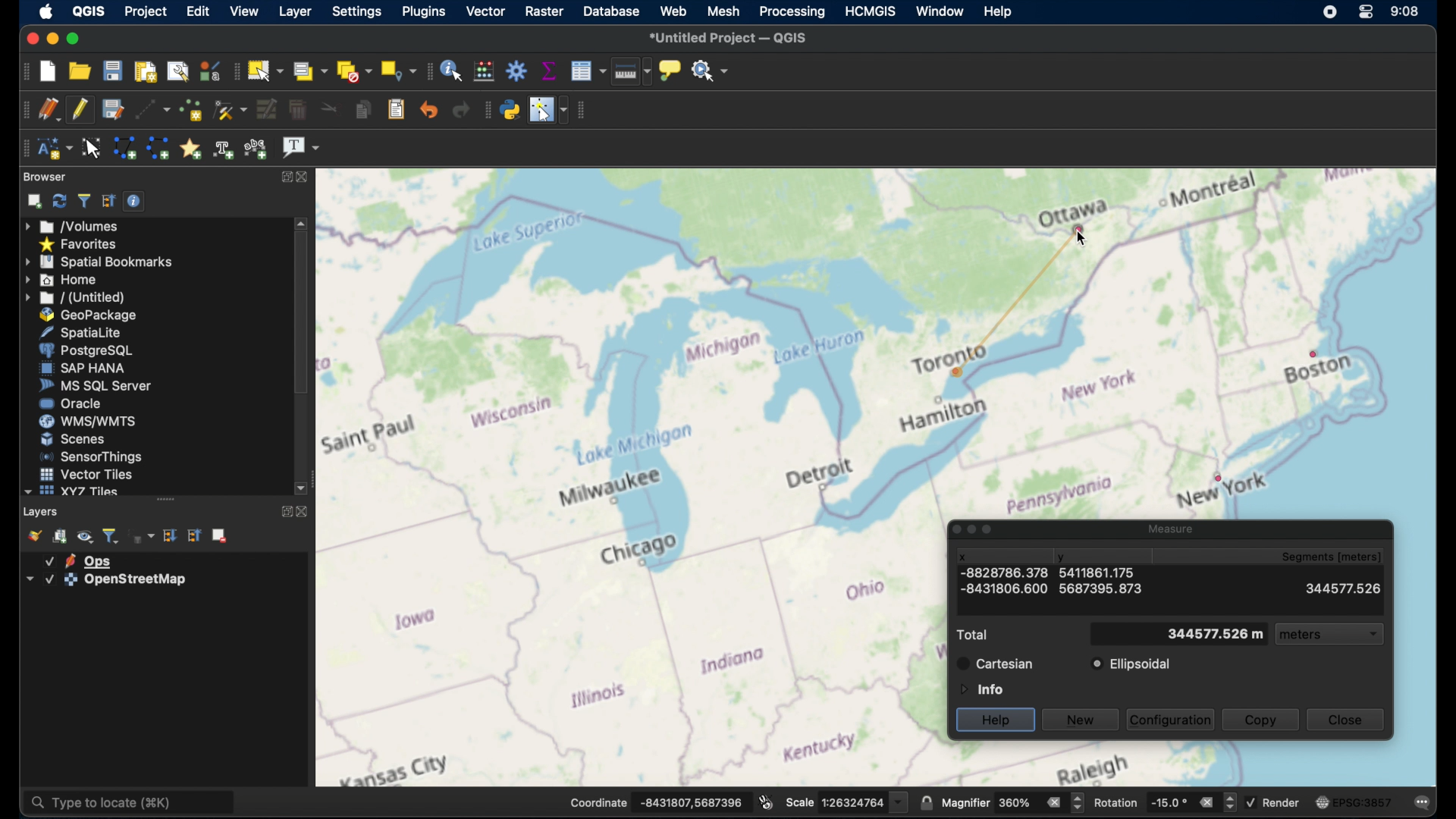 This screenshot has width=1456, height=819. What do you see at coordinates (1214, 637) in the screenshot?
I see `distance` at bounding box center [1214, 637].